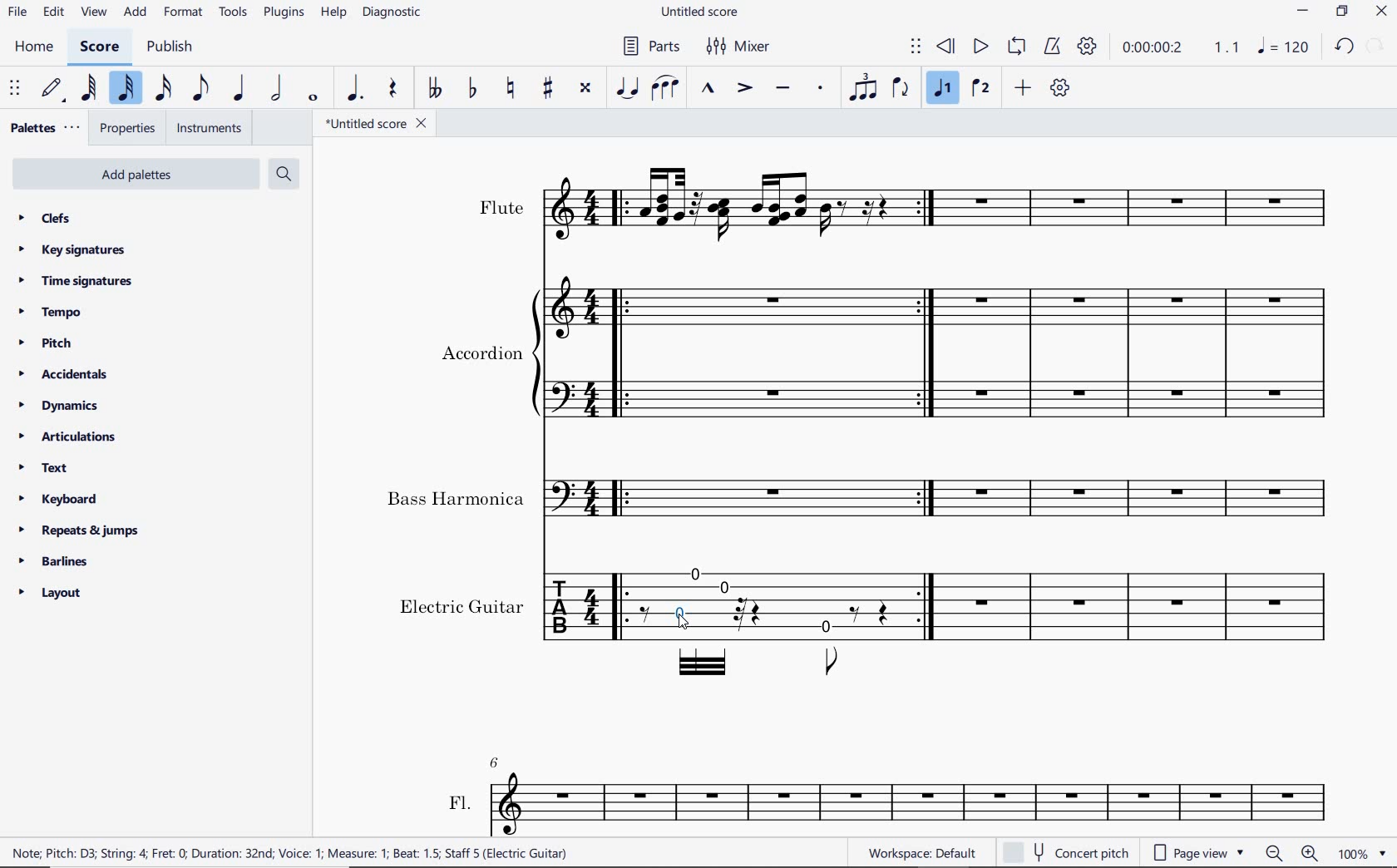  Describe the element at coordinates (274, 88) in the screenshot. I see `half note` at that location.